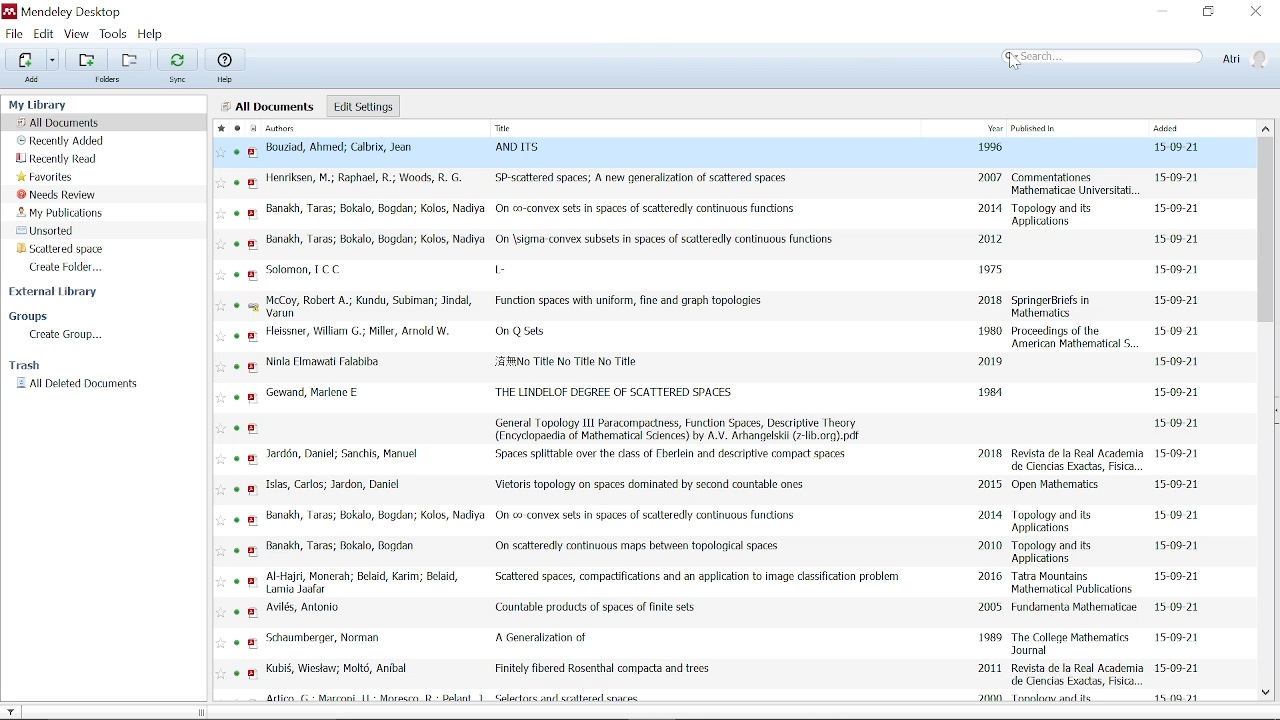  What do you see at coordinates (221, 489) in the screenshot?
I see `Add to favorite` at bounding box center [221, 489].